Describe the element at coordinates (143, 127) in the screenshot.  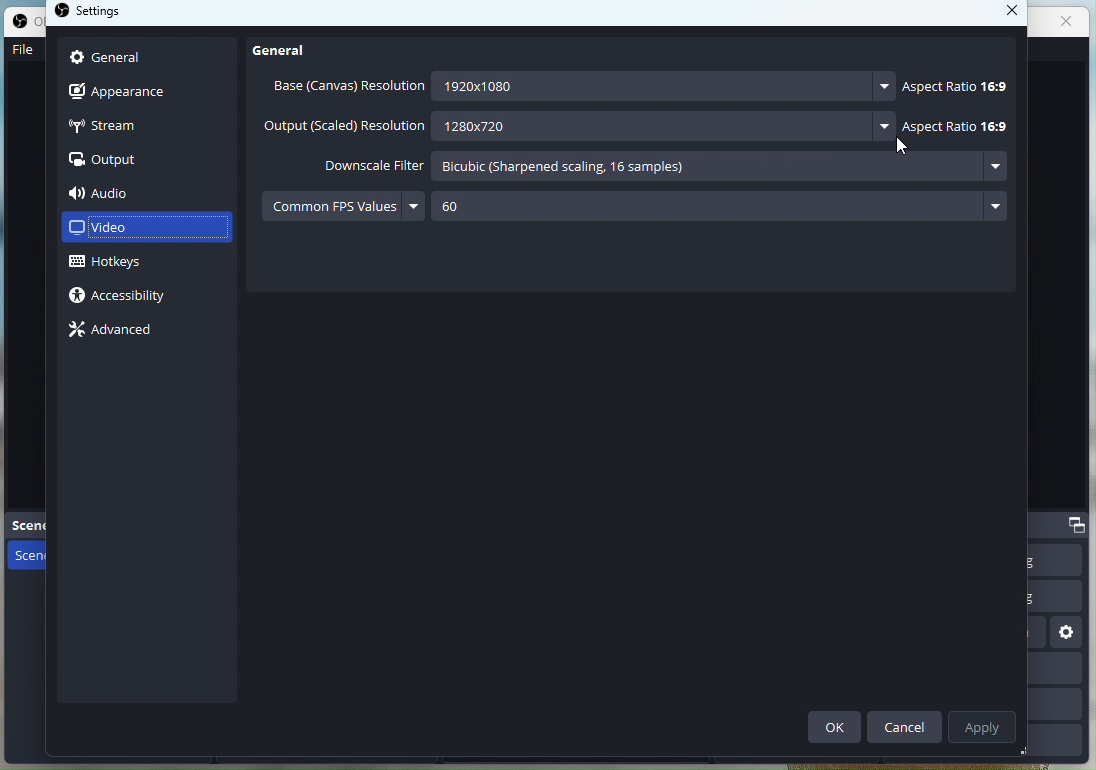
I see `Stream` at that location.